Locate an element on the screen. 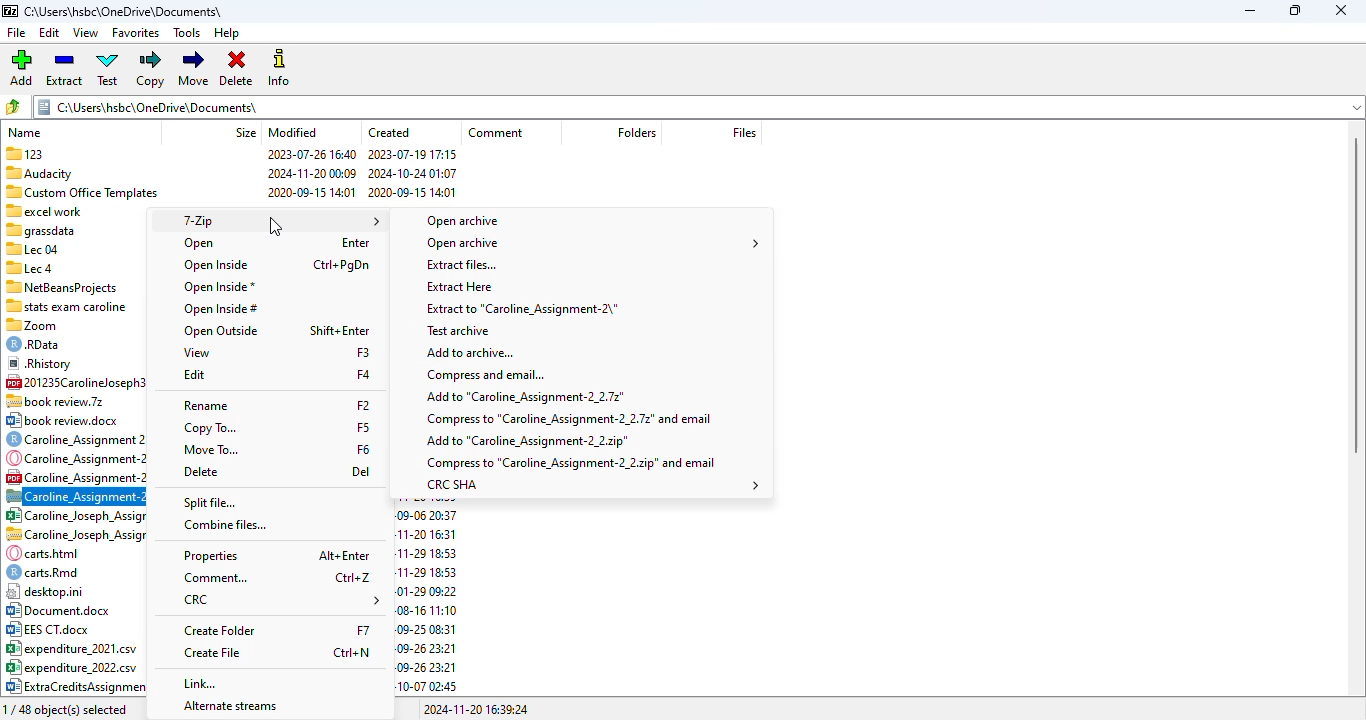  copy is located at coordinates (152, 69).